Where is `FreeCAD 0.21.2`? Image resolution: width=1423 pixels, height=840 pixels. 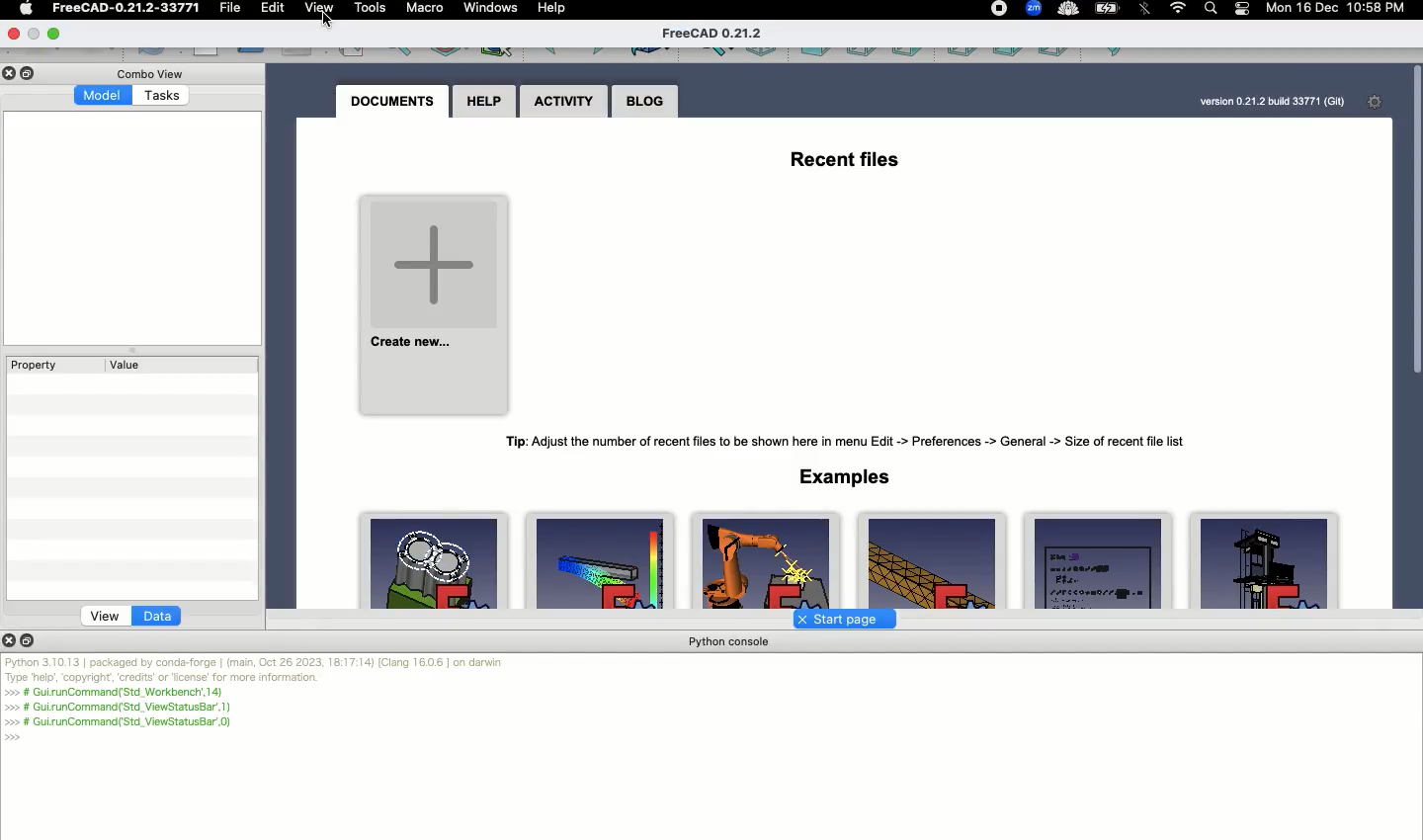 FreeCAD 0.21.2 is located at coordinates (714, 34).